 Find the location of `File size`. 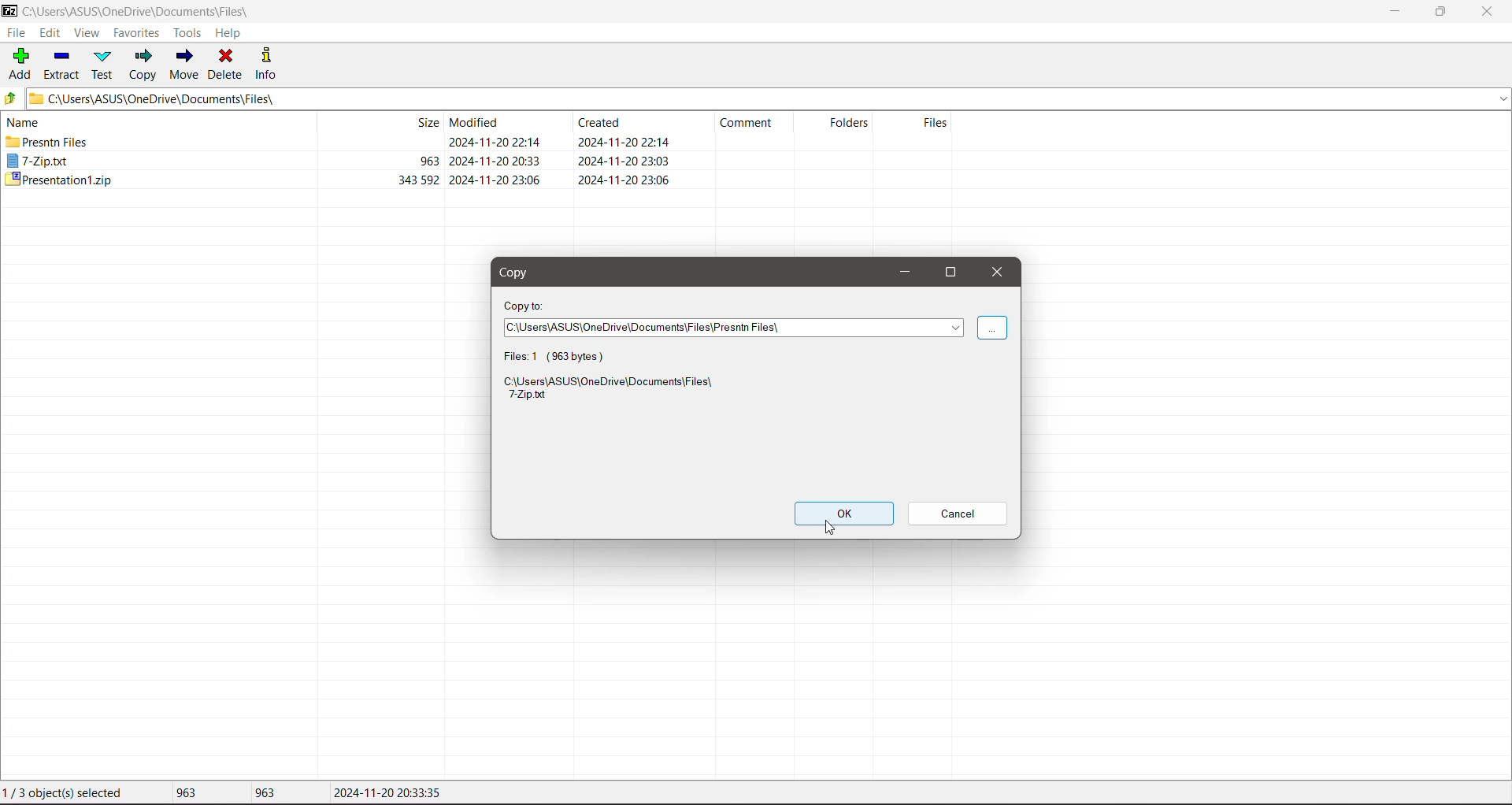

File size is located at coordinates (390, 152).